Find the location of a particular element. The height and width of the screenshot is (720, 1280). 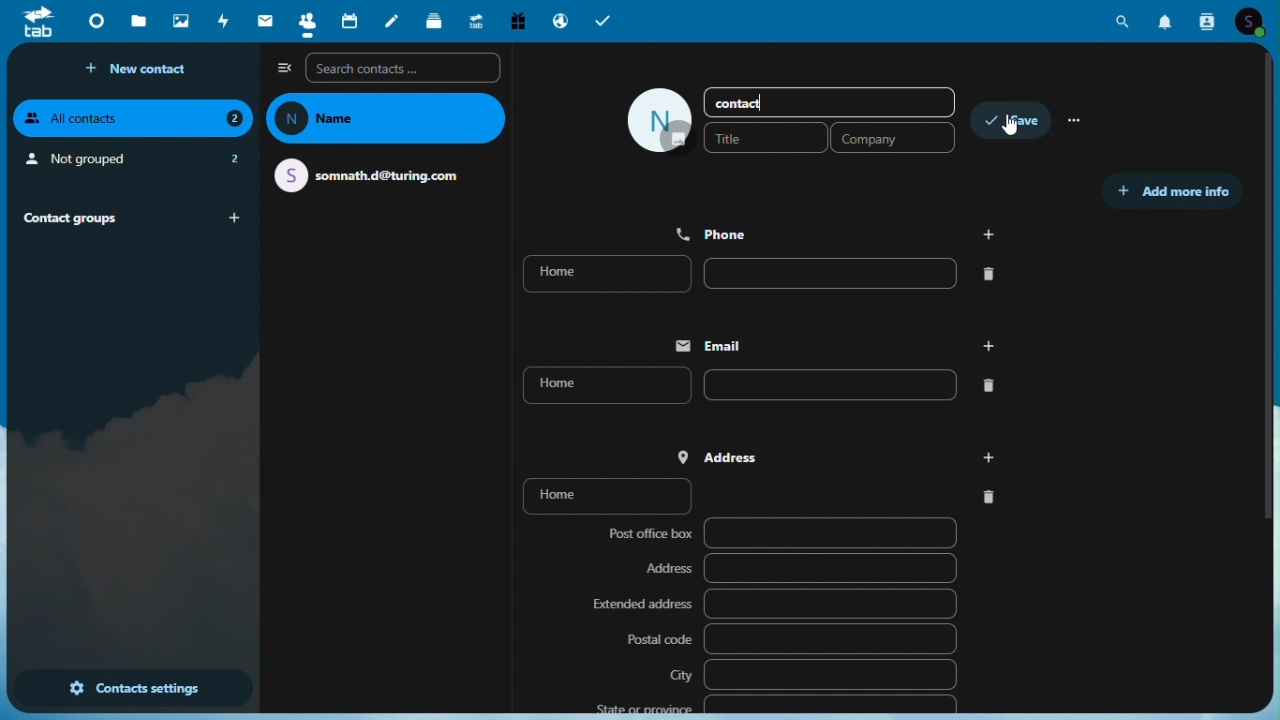

Upgrade is located at coordinates (476, 19).